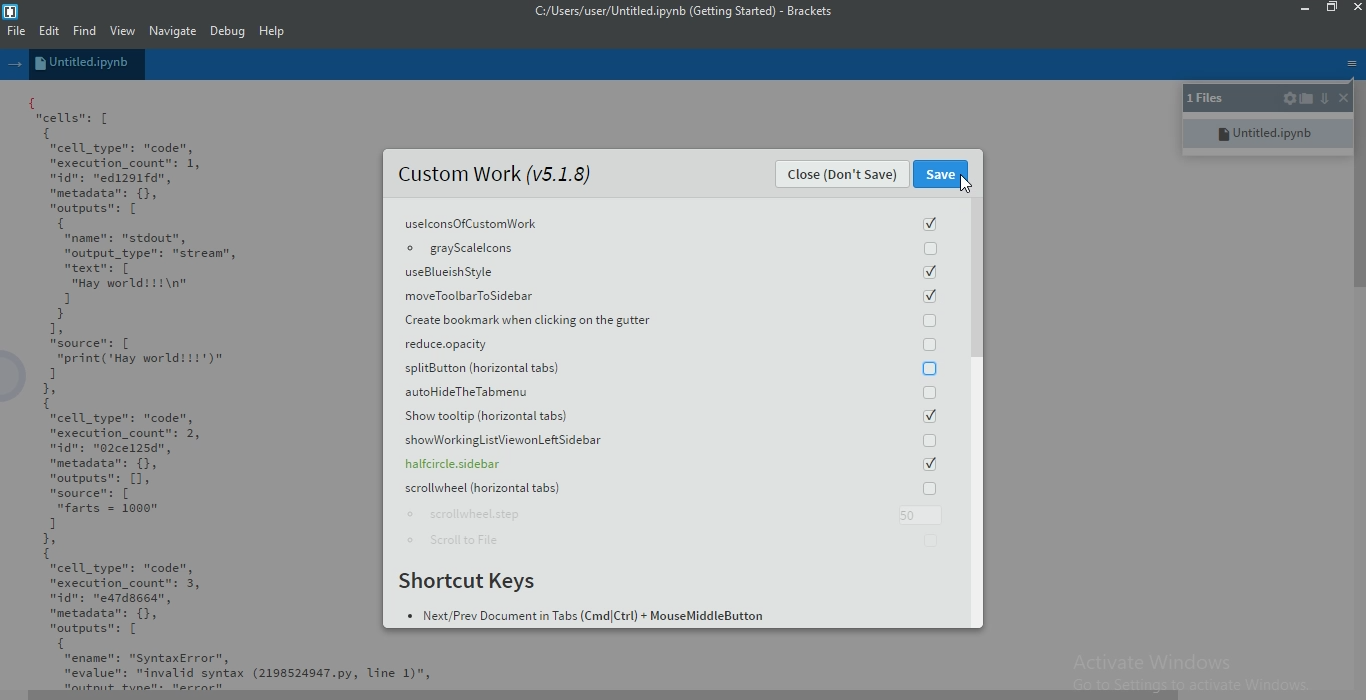  What do you see at coordinates (673, 296) in the screenshot?
I see `moveToolbarToSidebar` at bounding box center [673, 296].